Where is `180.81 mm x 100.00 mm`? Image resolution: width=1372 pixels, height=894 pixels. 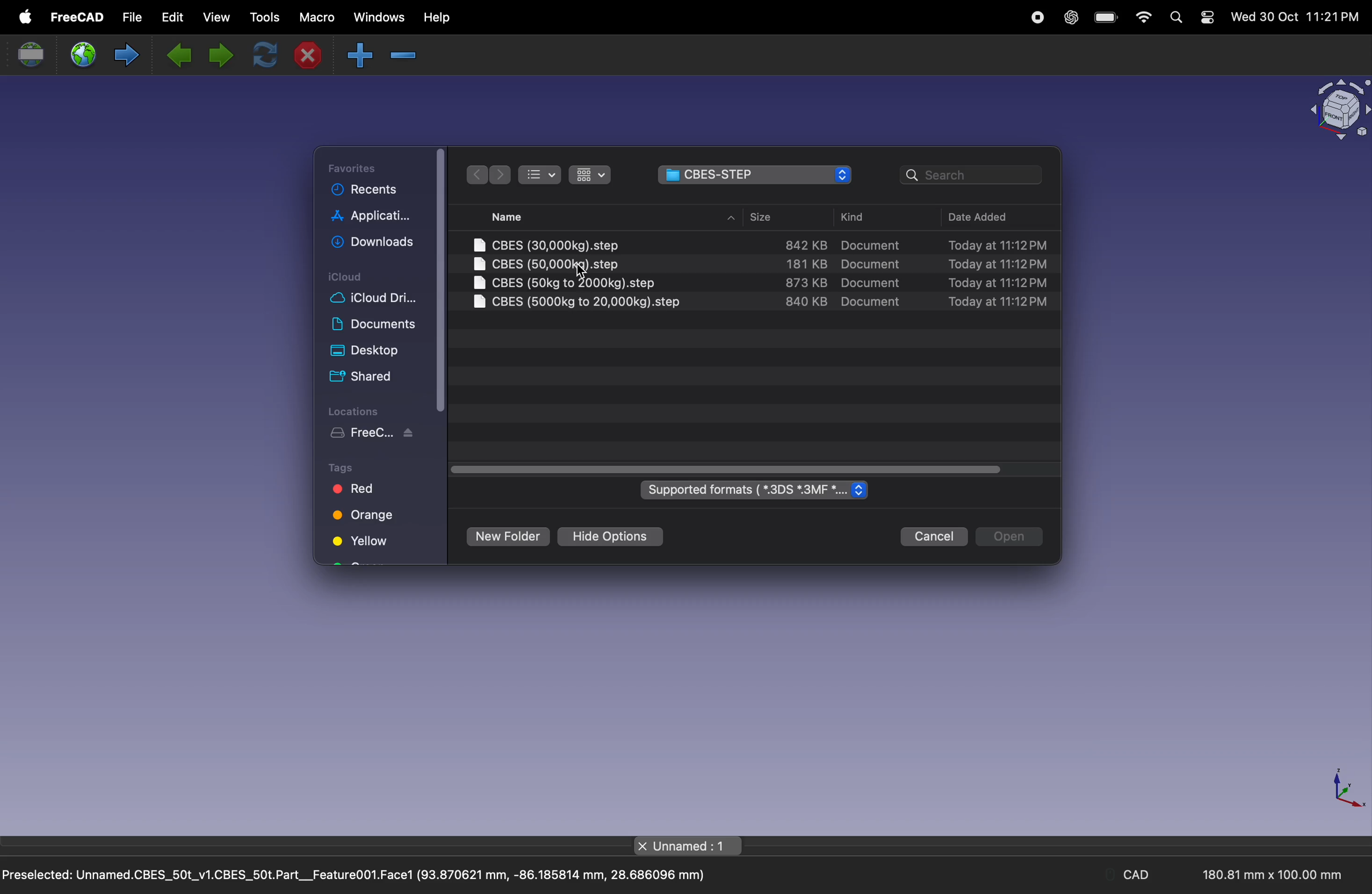
180.81 mm x 100.00 mm is located at coordinates (1268, 875).